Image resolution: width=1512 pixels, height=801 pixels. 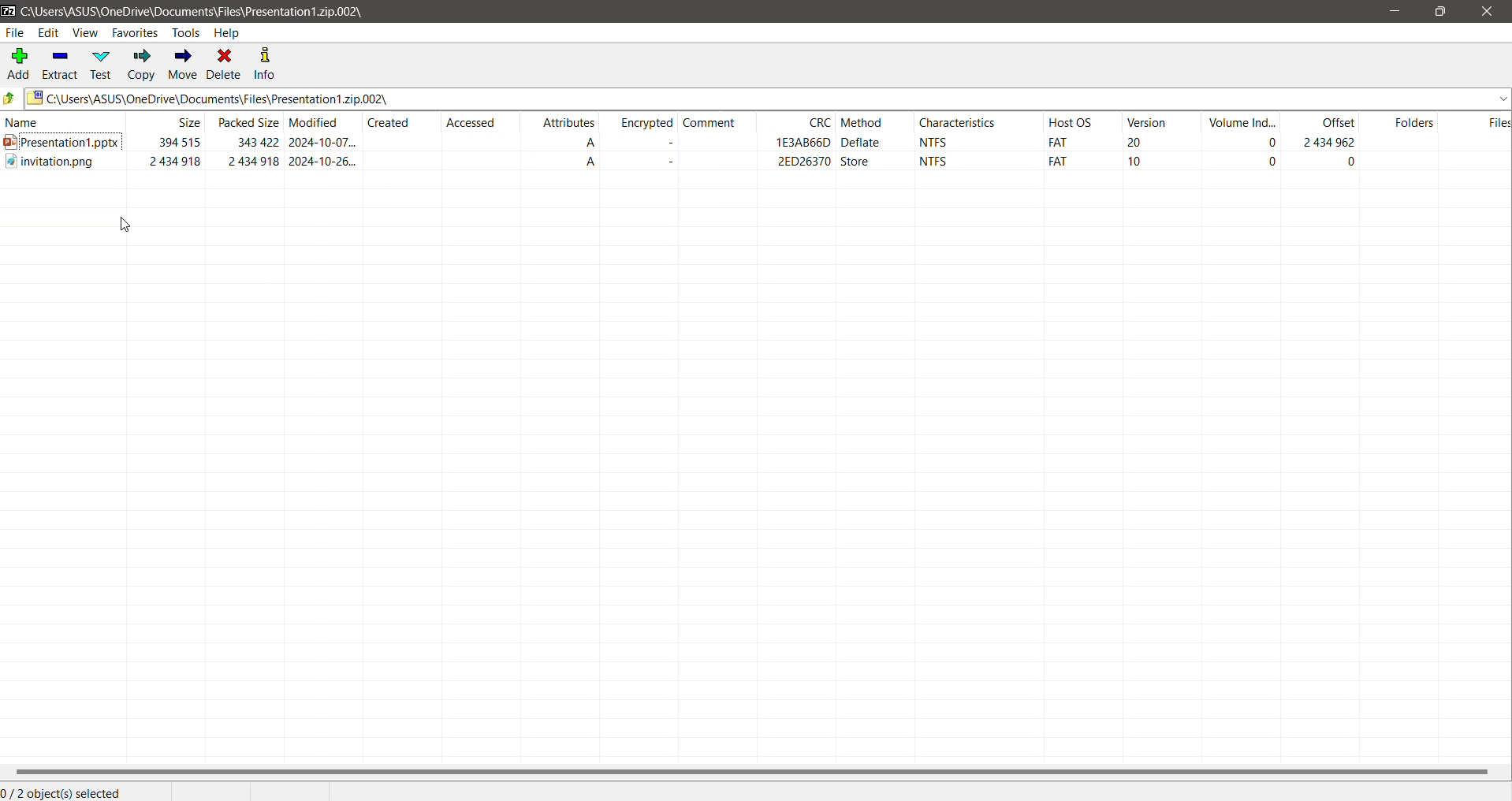 What do you see at coordinates (754, 772) in the screenshot?
I see `Horizontal Scrol Bar` at bounding box center [754, 772].